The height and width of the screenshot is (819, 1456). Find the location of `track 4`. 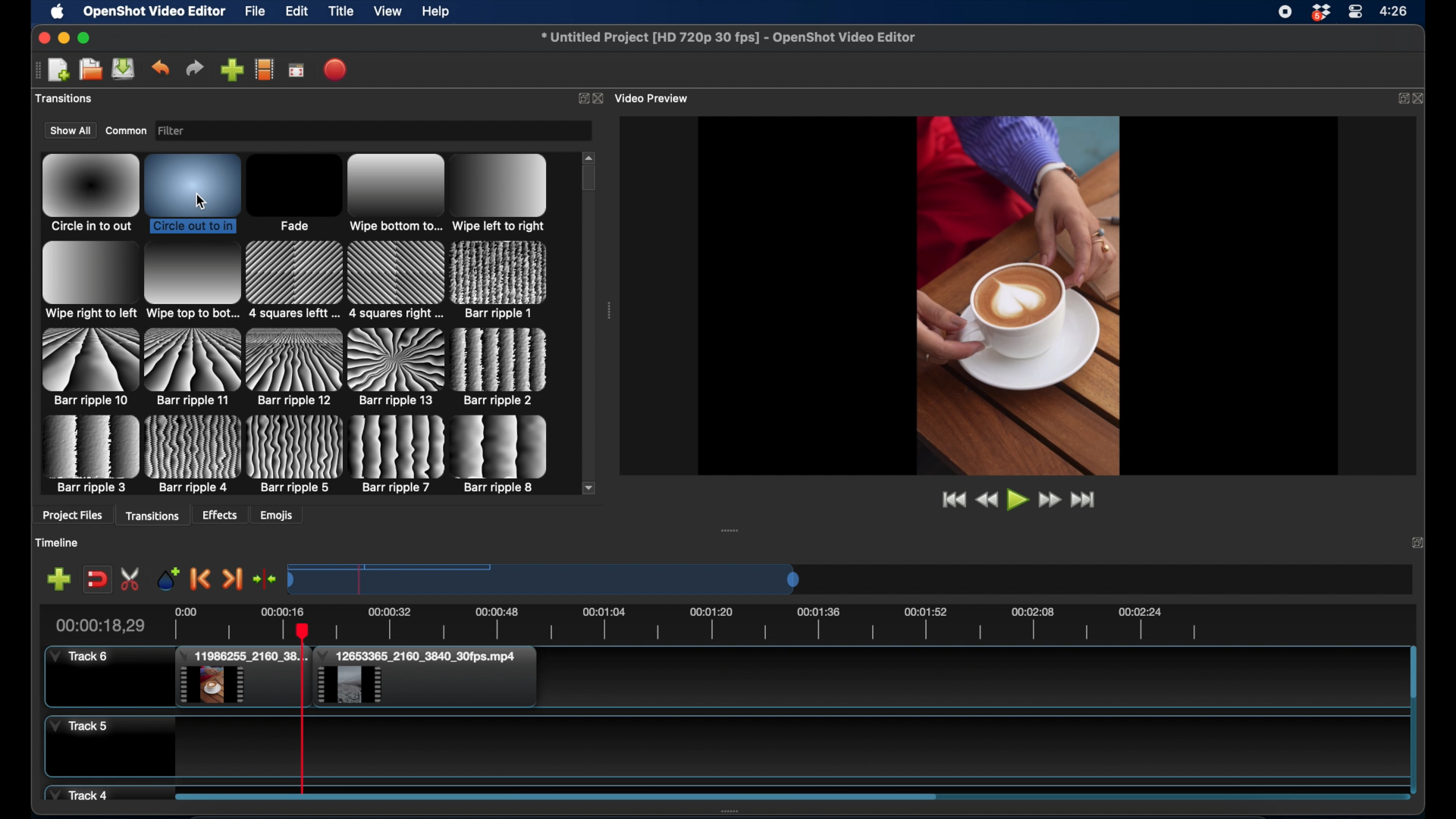

track 4 is located at coordinates (81, 793).